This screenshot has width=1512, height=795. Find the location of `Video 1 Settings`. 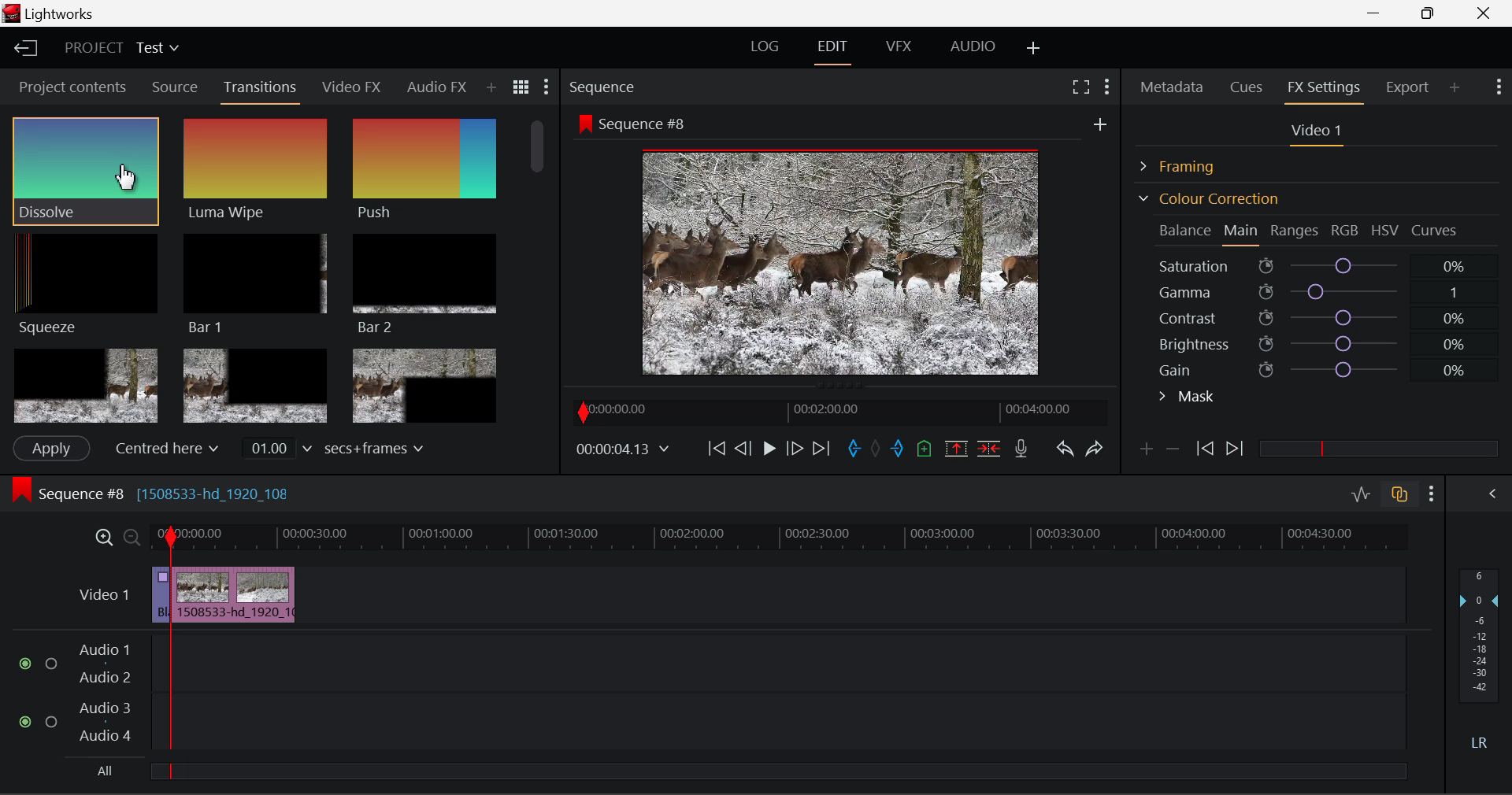

Video 1 Settings is located at coordinates (1319, 134).